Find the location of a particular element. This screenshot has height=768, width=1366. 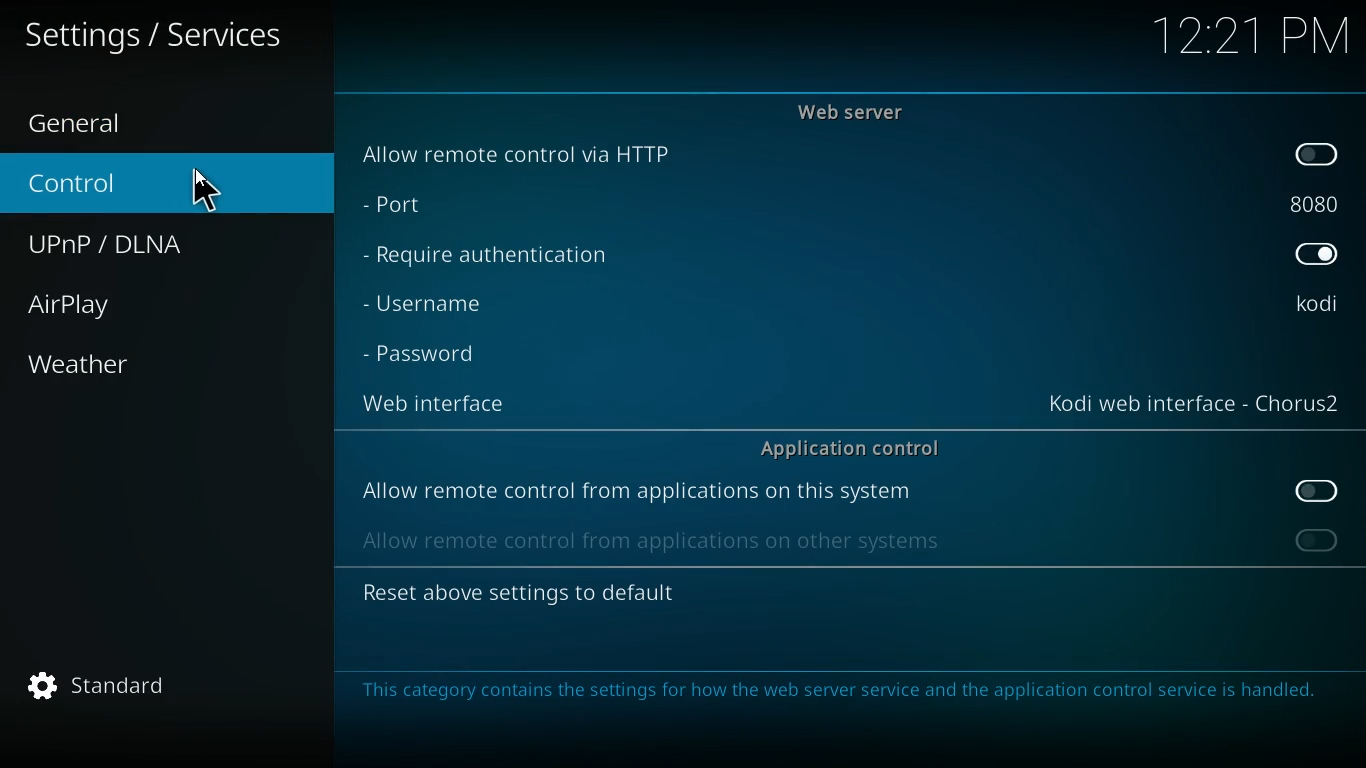

off is located at coordinates (1319, 154).